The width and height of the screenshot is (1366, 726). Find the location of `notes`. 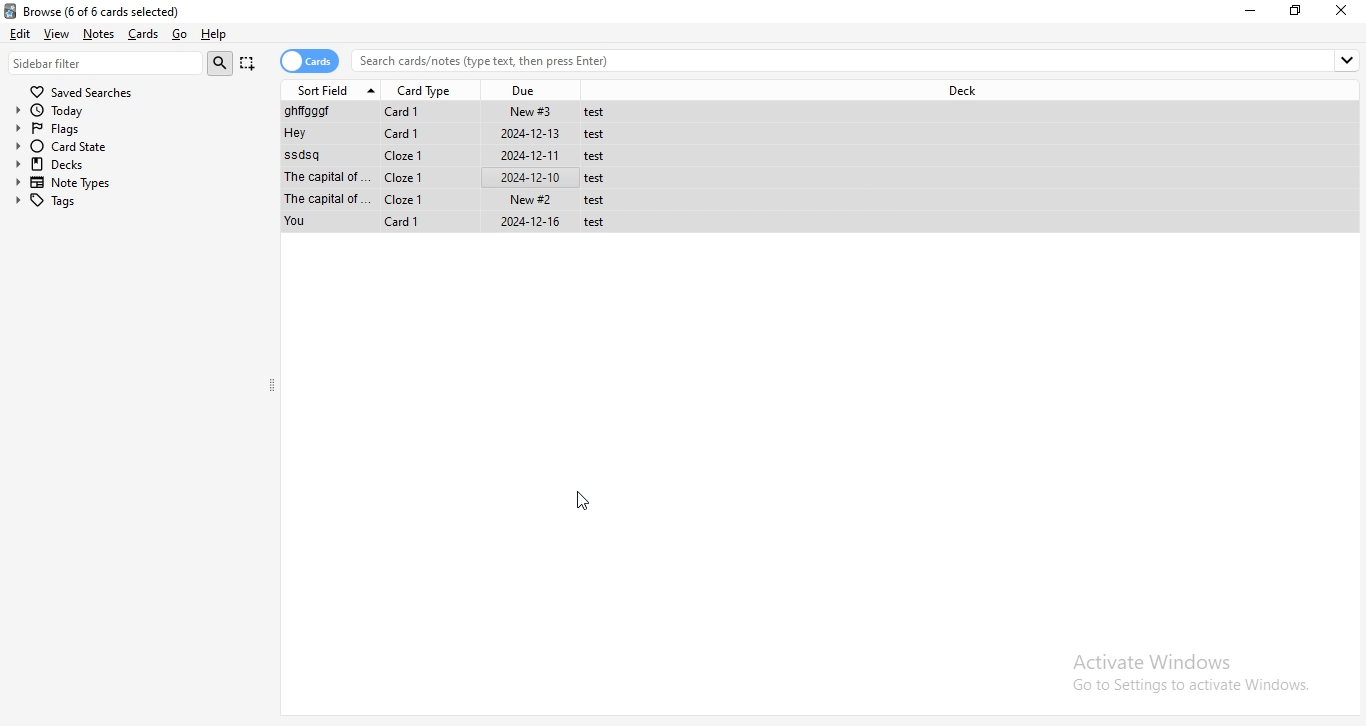

notes is located at coordinates (102, 33).